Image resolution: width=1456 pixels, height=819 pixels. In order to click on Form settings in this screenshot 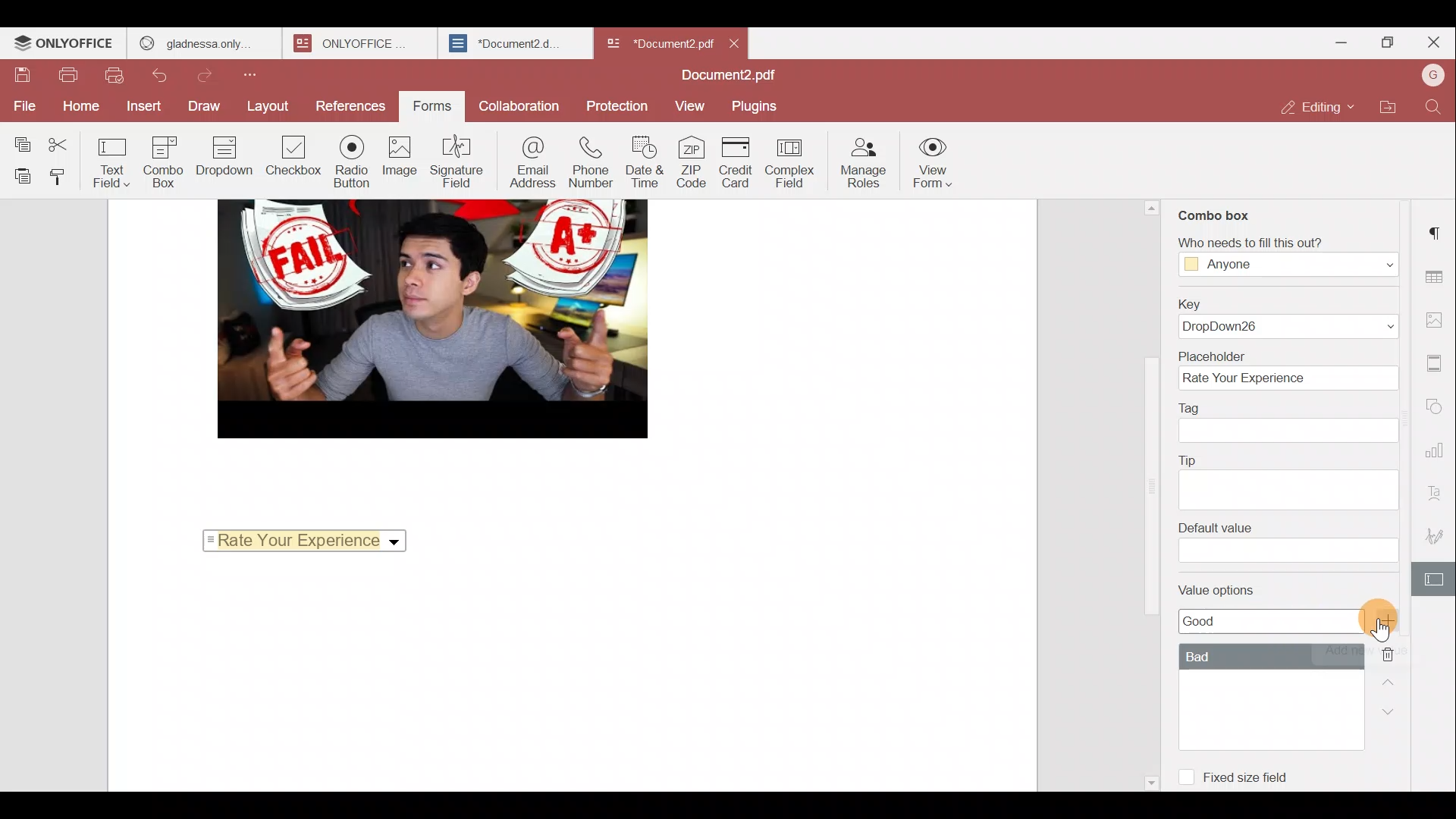, I will do `click(1435, 579)`.